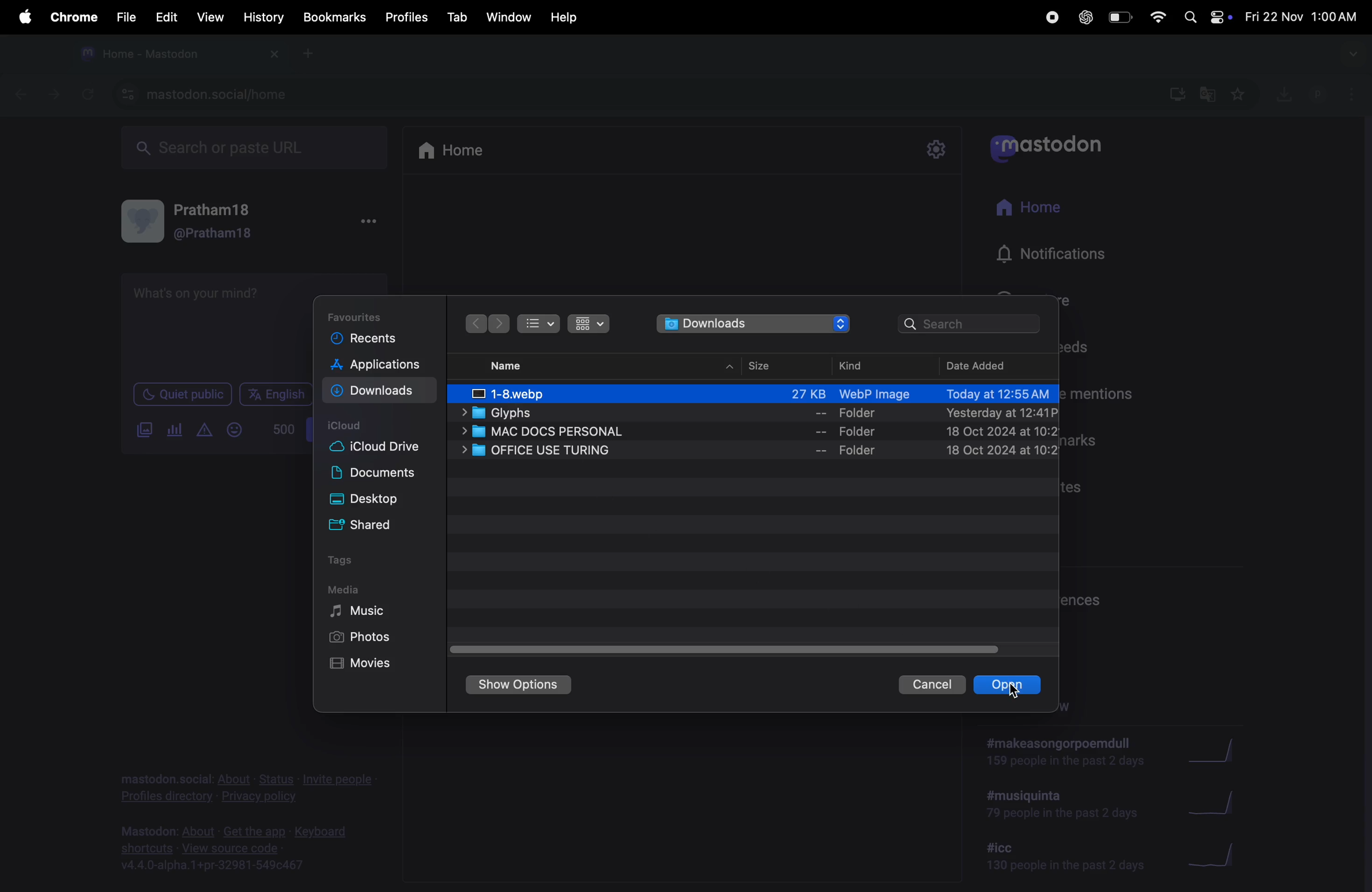  What do you see at coordinates (459, 151) in the screenshot?
I see `home` at bounding box center [459, 151].